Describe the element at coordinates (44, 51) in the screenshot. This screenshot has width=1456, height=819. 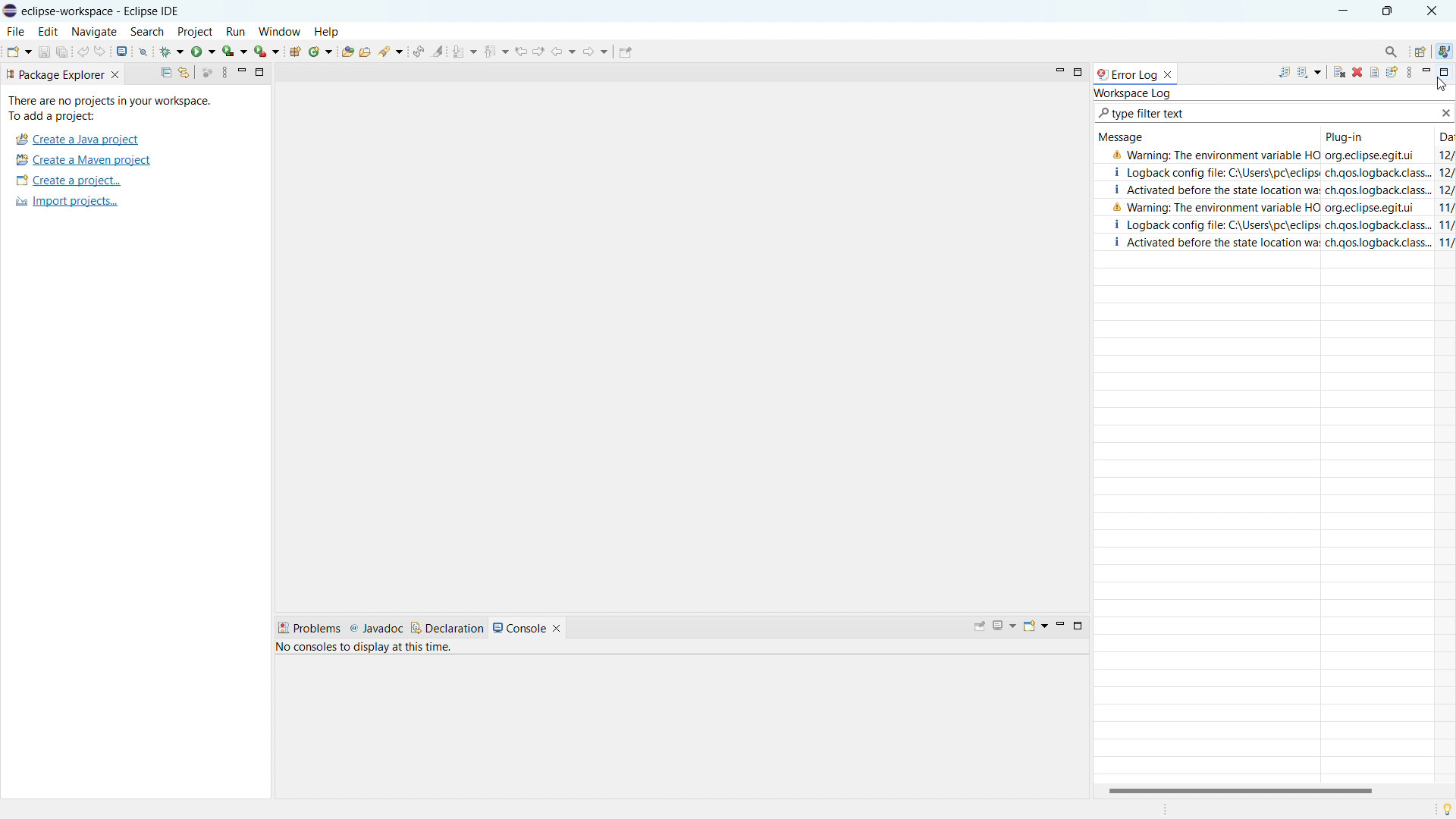
I see `save` at that location.